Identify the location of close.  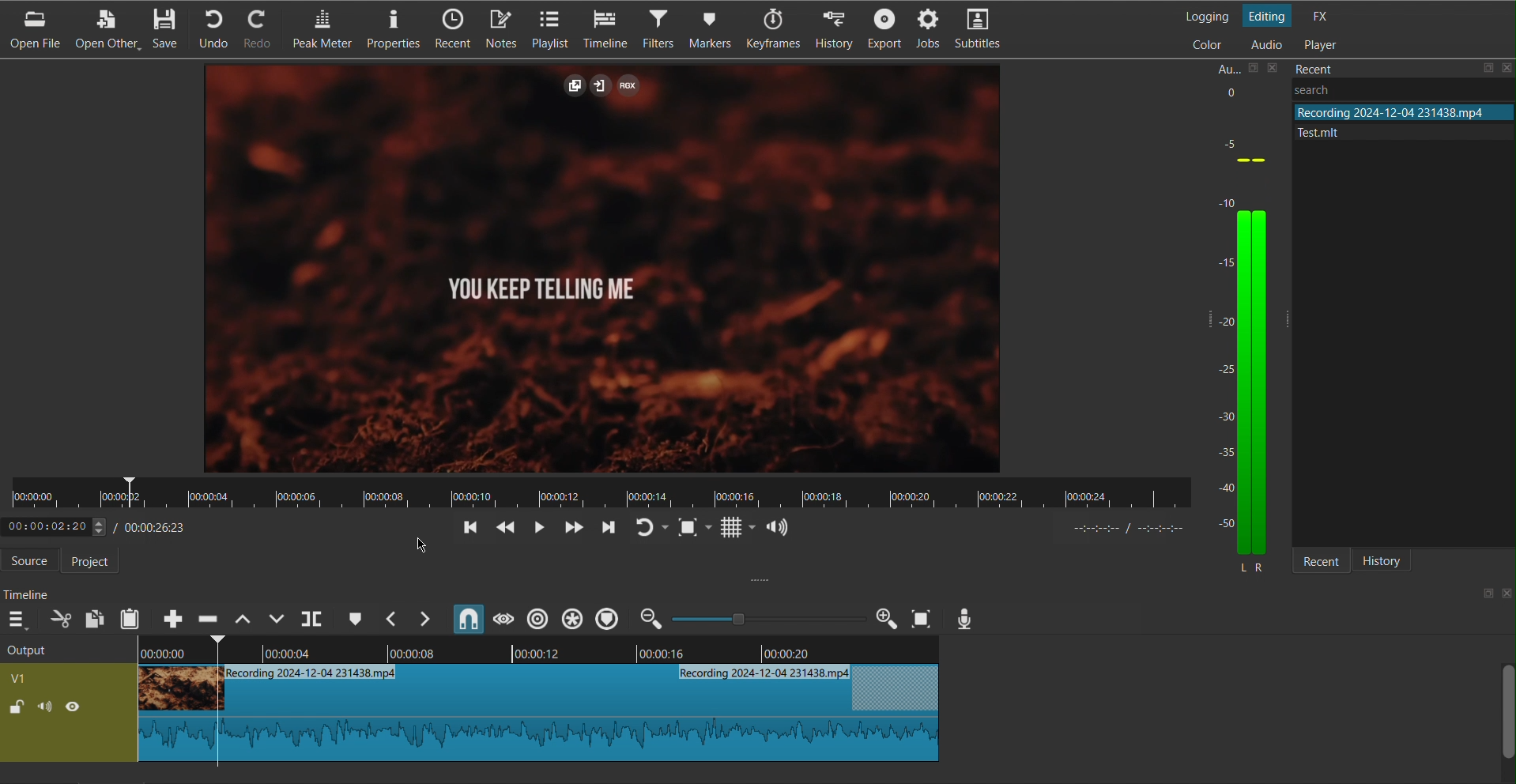
(1274, 67).